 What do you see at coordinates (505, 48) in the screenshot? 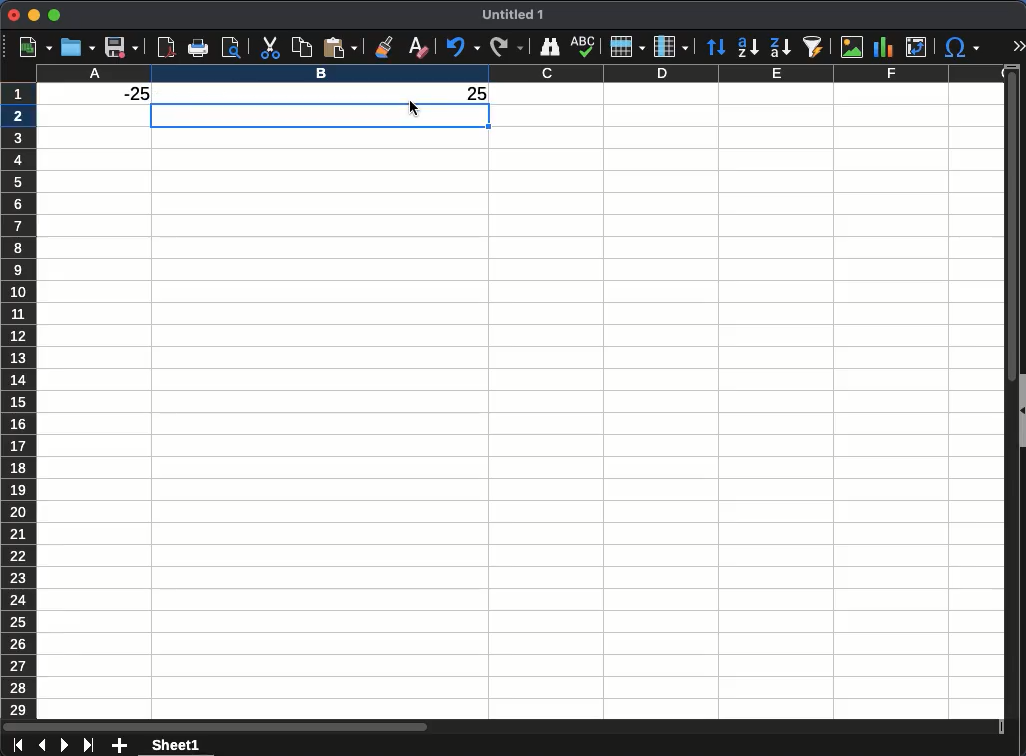
I see `redo` at bounding box center [505, 48].